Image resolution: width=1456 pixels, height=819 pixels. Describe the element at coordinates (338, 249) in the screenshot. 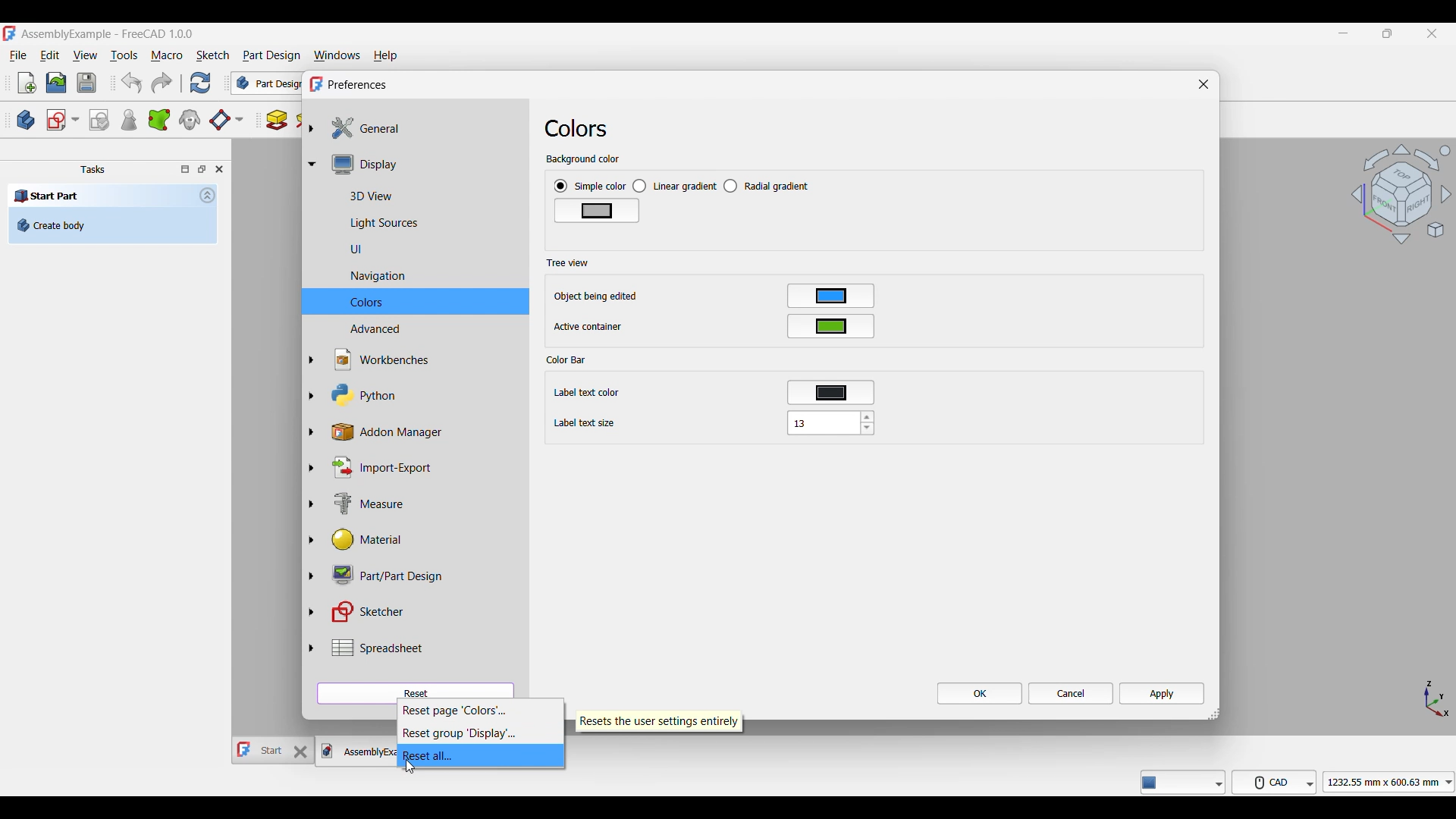

I see `UI` at that location.